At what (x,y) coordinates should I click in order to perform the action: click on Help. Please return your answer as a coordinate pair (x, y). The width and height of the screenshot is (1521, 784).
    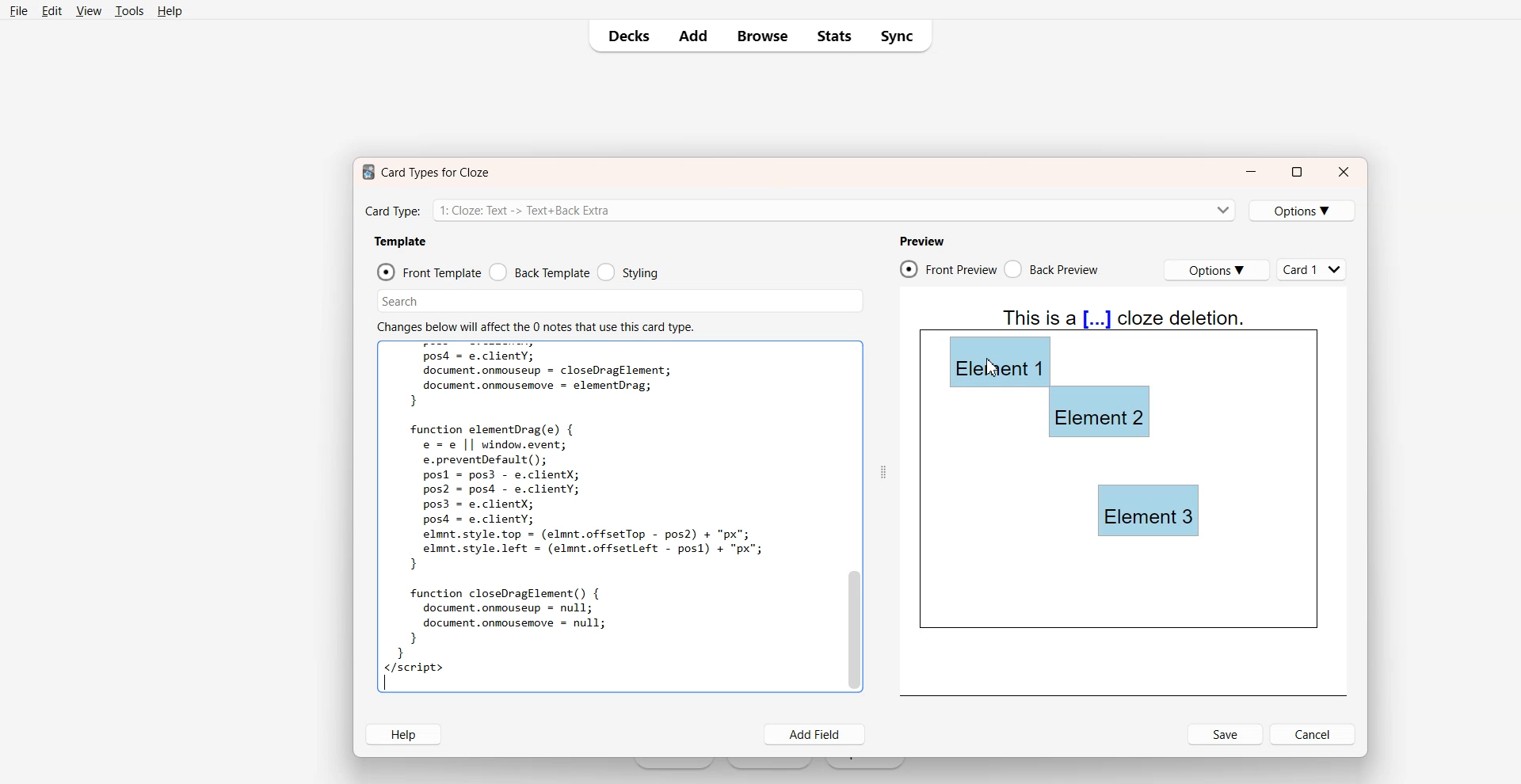
    Looking at the image, I should click on (169, 10).